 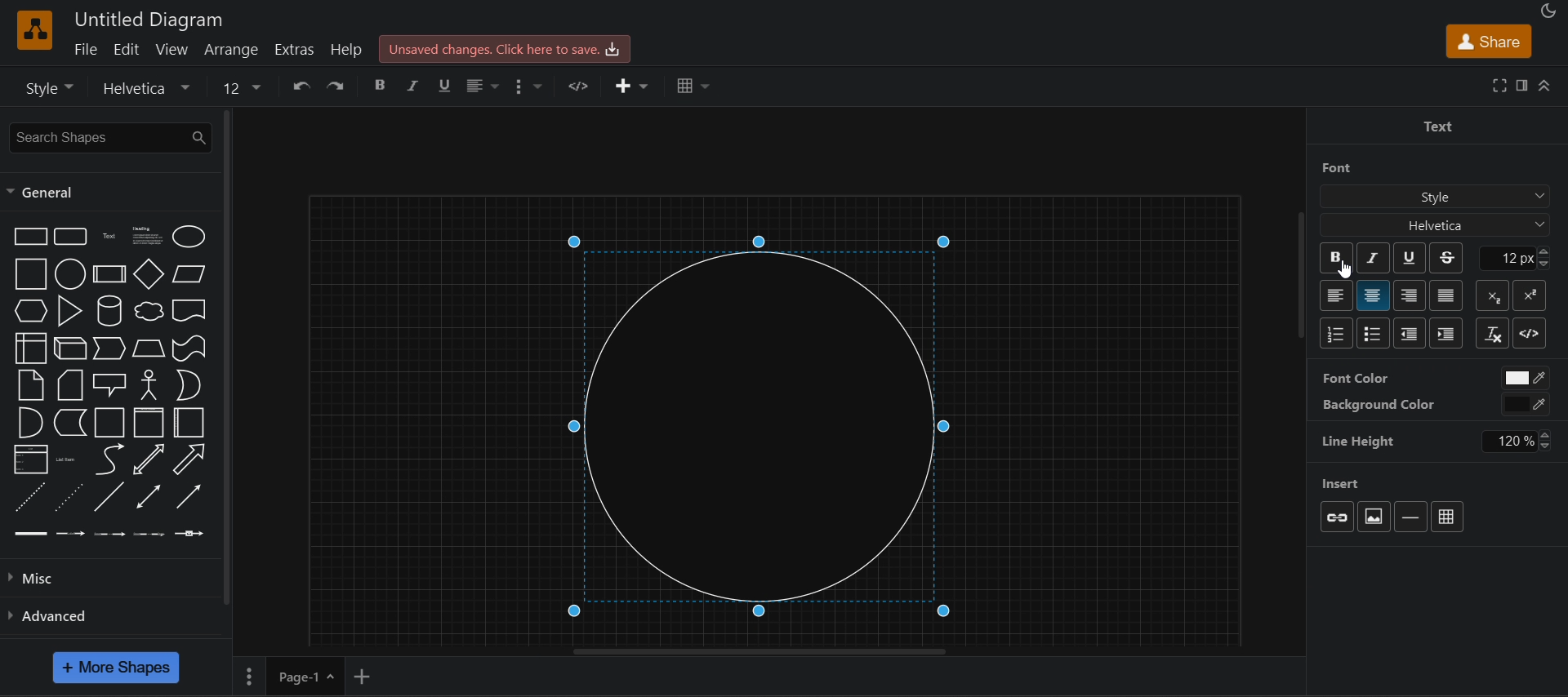 I want to click on left align, so click(x=481, y=87).